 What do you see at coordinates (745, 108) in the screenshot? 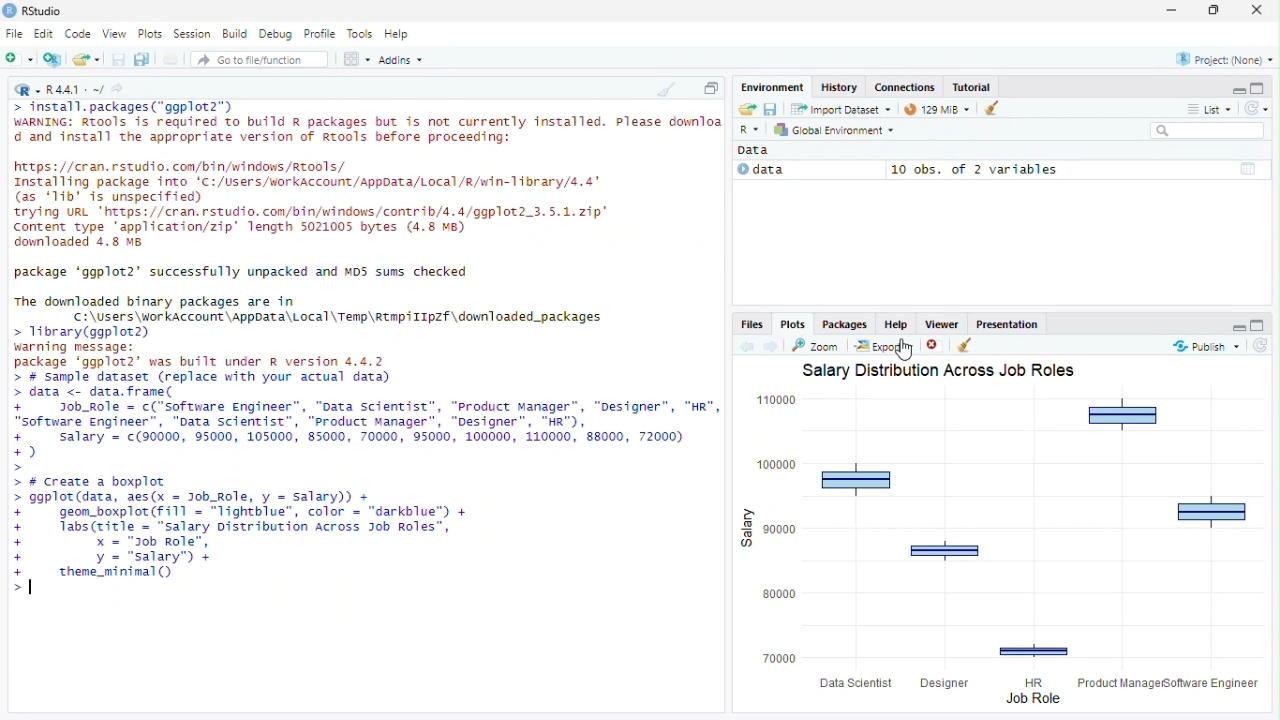
I see `Load workspace` at bounding box center [745, 108].